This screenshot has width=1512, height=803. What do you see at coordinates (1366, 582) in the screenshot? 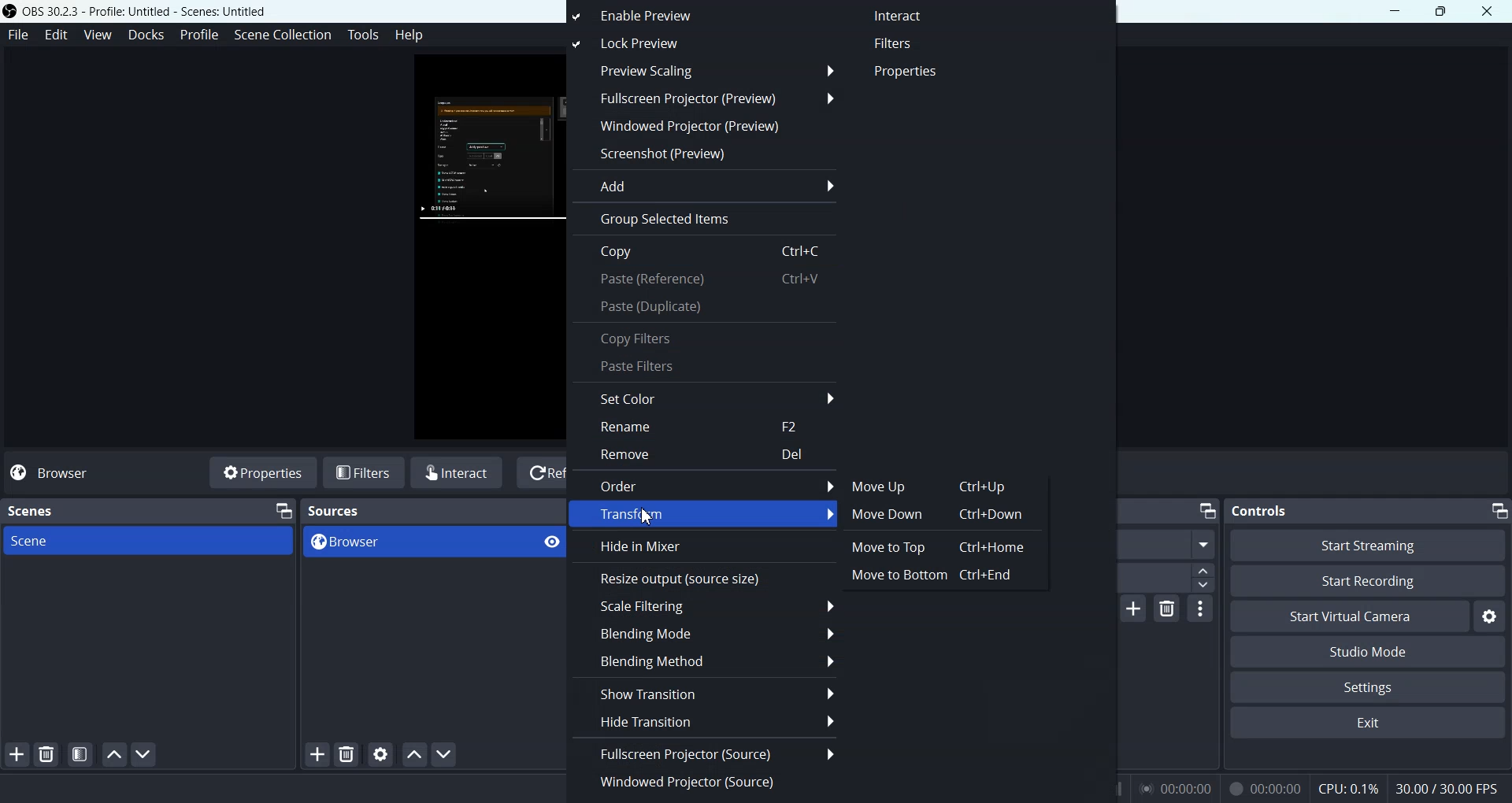
I see `Start Recording` at bounding box center [1366, 582].